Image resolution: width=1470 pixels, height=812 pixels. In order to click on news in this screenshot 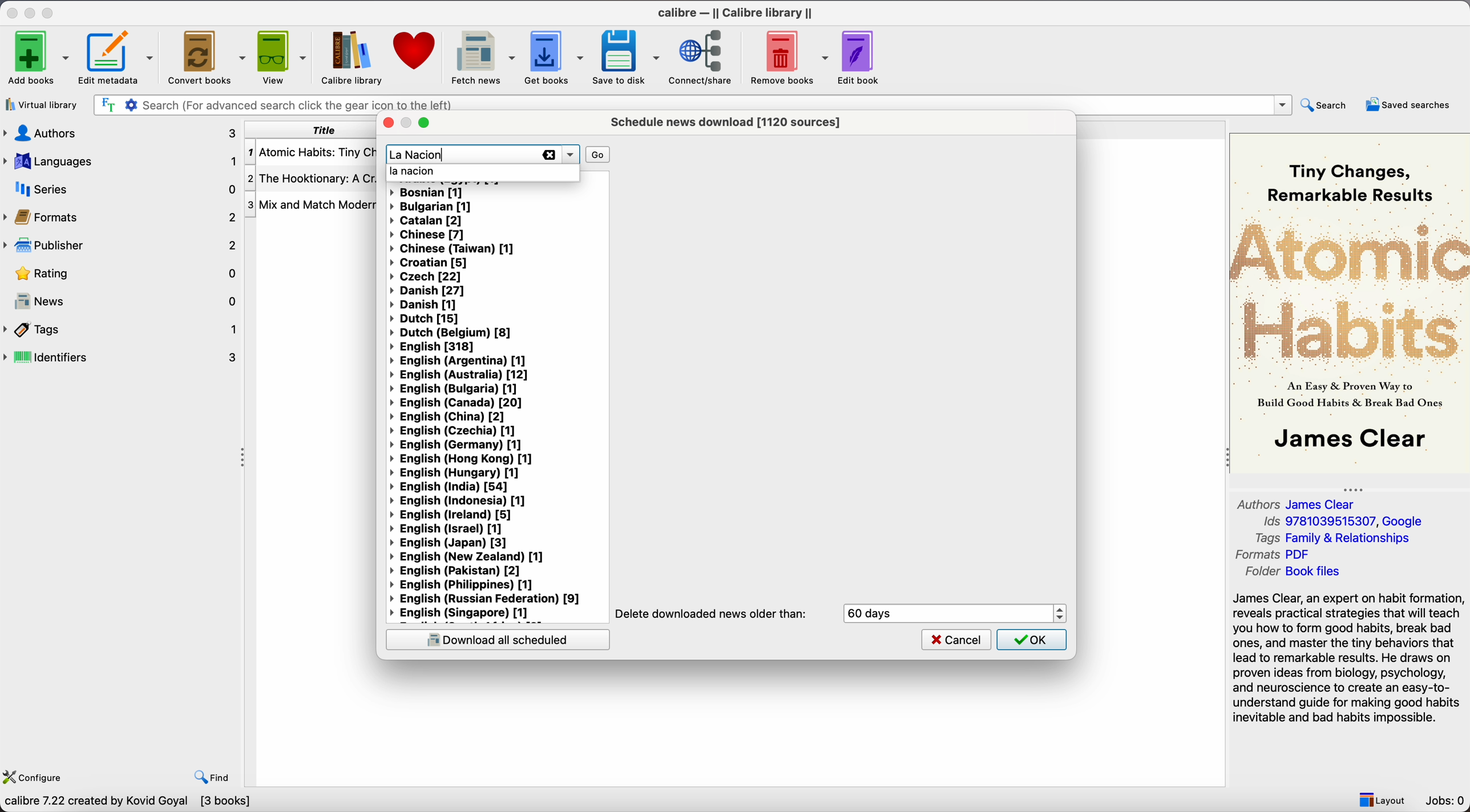, I will do `click(122, 298)`.